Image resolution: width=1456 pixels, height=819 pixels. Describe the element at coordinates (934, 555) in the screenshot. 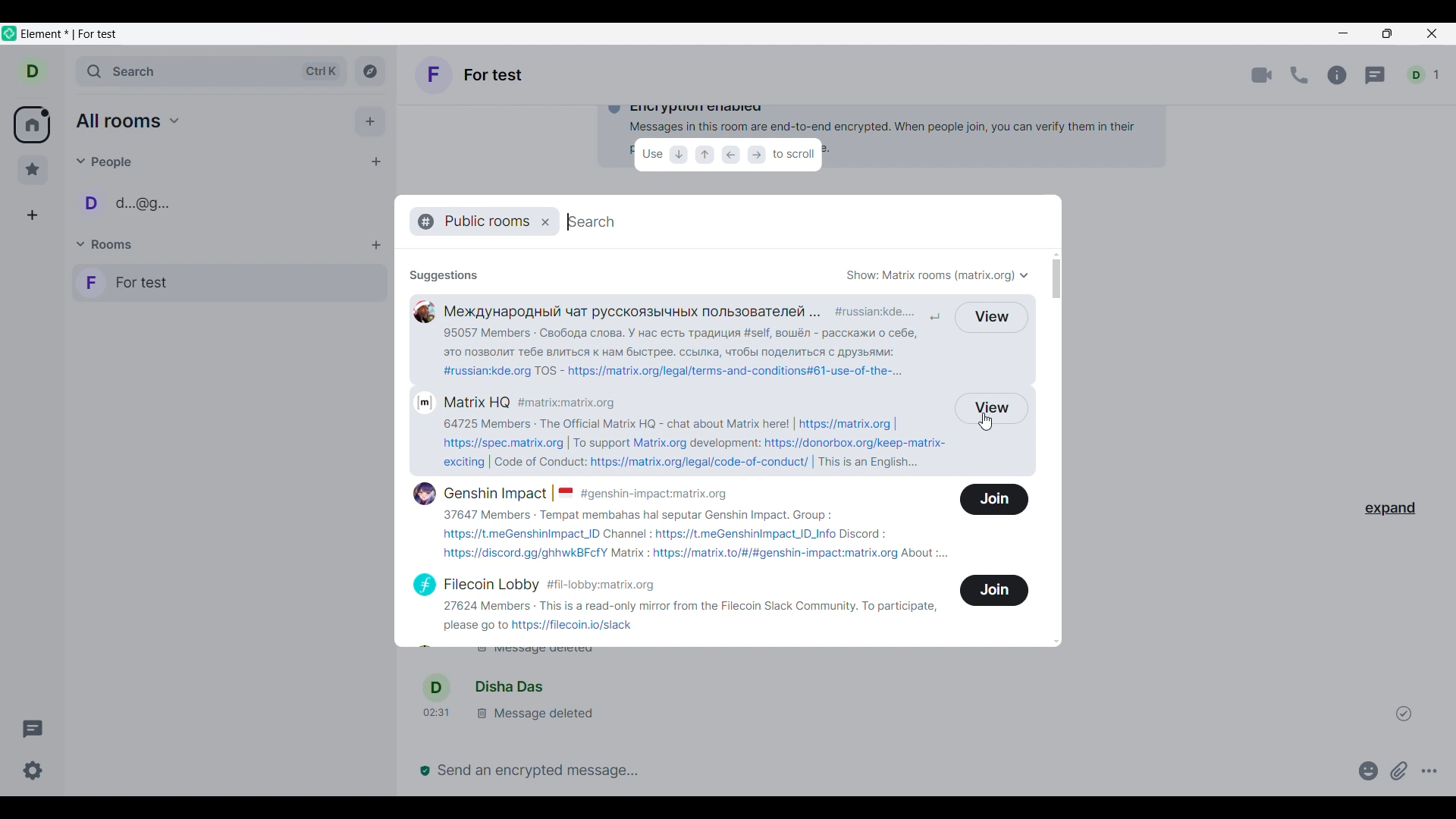

I see `about...` at that location.